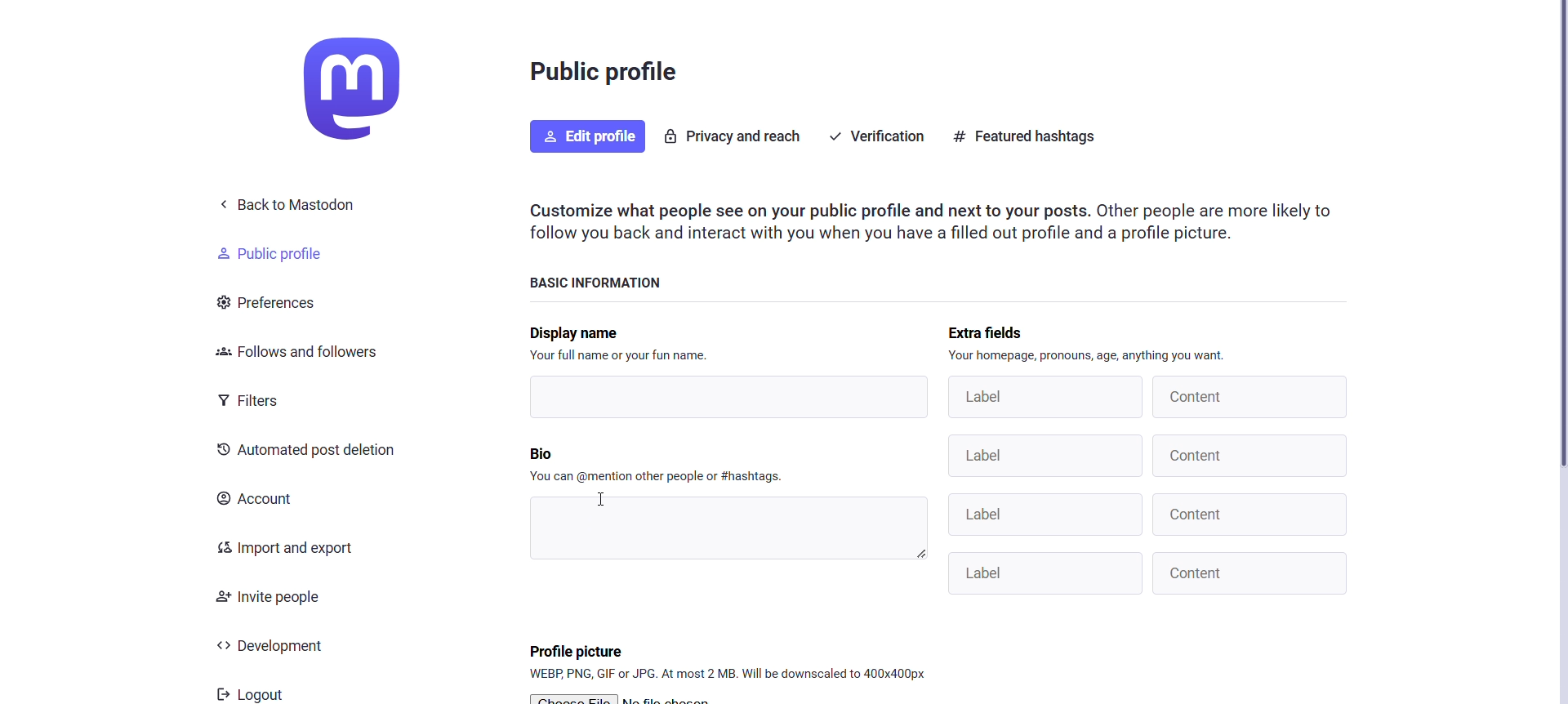 This screenshot has width=1568, height=704. What do you see at coordinates (1253, 455) in the screenshot?
I see `content` at bounding box center [1253, 455].